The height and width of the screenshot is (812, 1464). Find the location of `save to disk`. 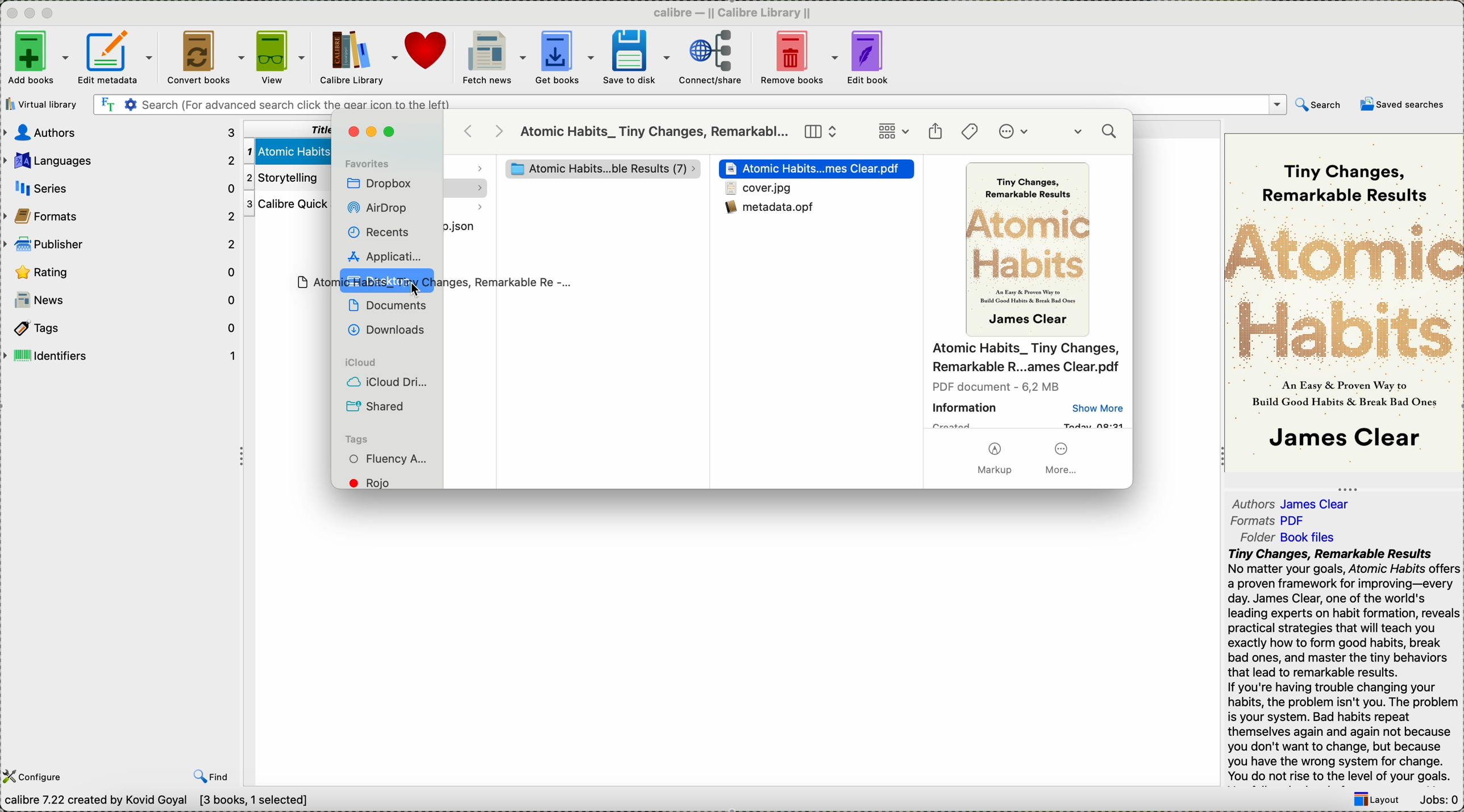

save to disk is located at coordinates (636, 57).